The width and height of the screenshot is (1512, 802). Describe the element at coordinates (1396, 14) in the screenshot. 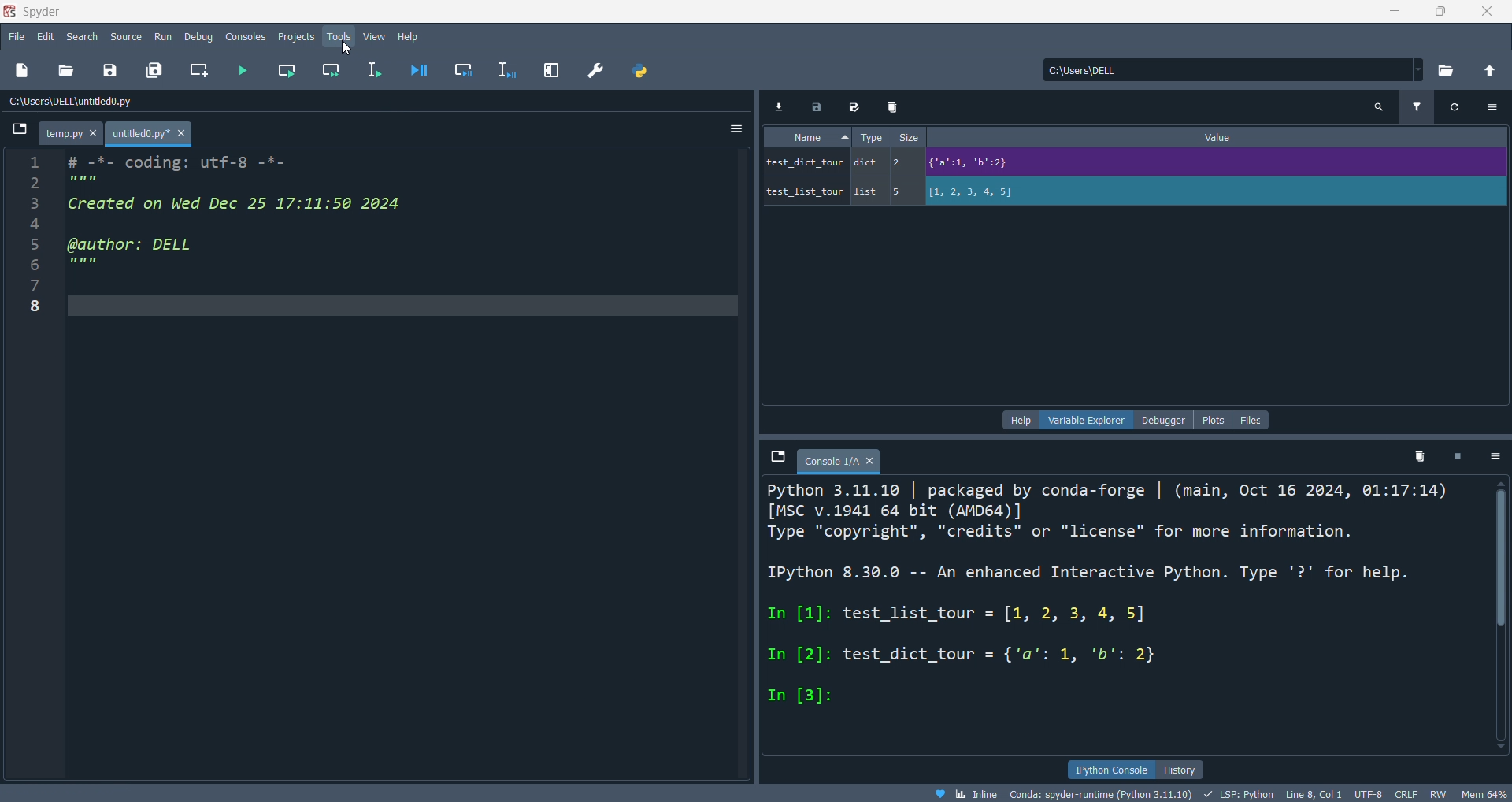

I see `minimize` at that location.